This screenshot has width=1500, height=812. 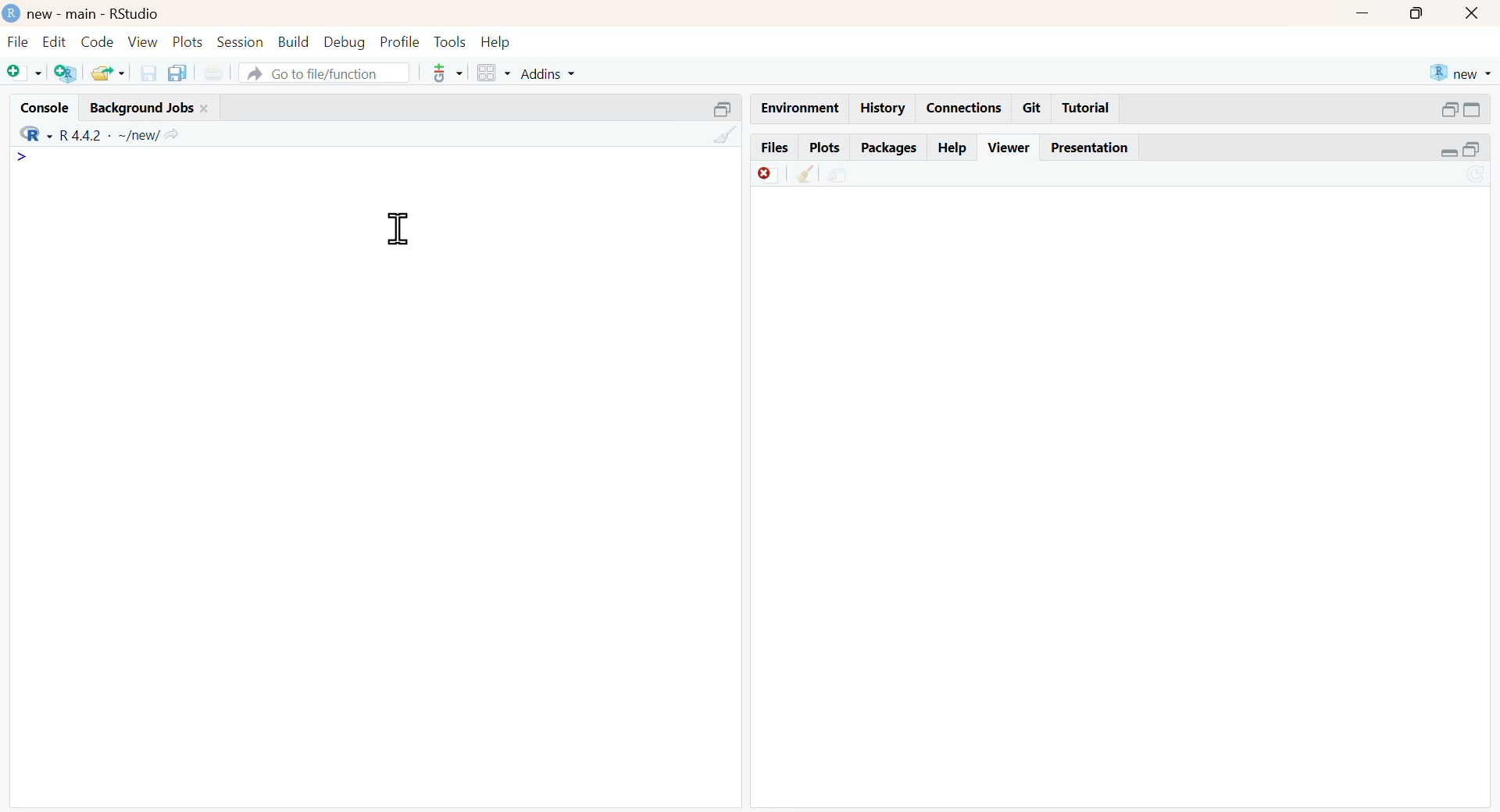 What do you see at coordinates (756, 173) in the screenshot?
I see `Remove current viewer tem` at bounding box center [756, 173].